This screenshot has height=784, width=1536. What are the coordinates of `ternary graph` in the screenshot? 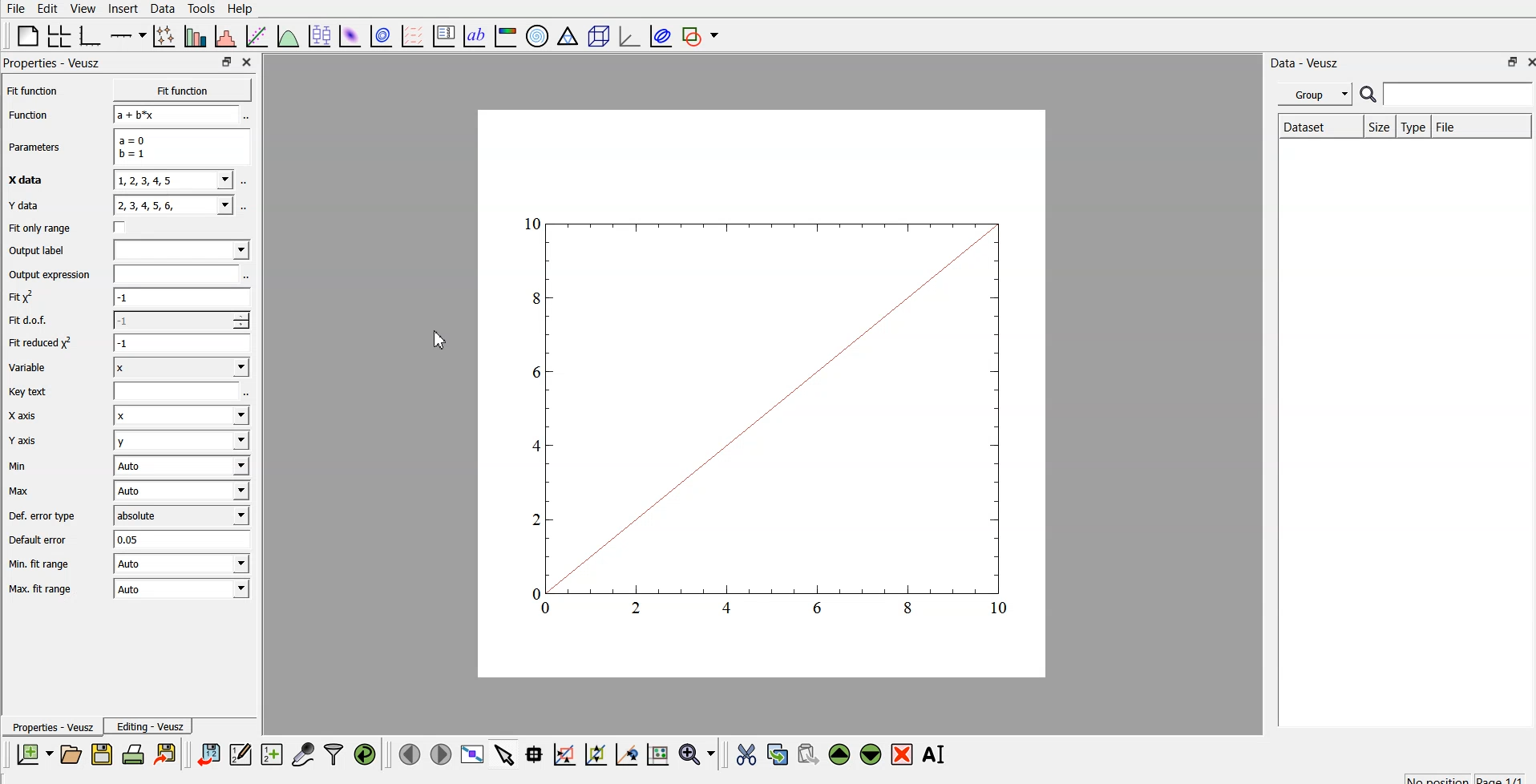 It's located at (568, 38).